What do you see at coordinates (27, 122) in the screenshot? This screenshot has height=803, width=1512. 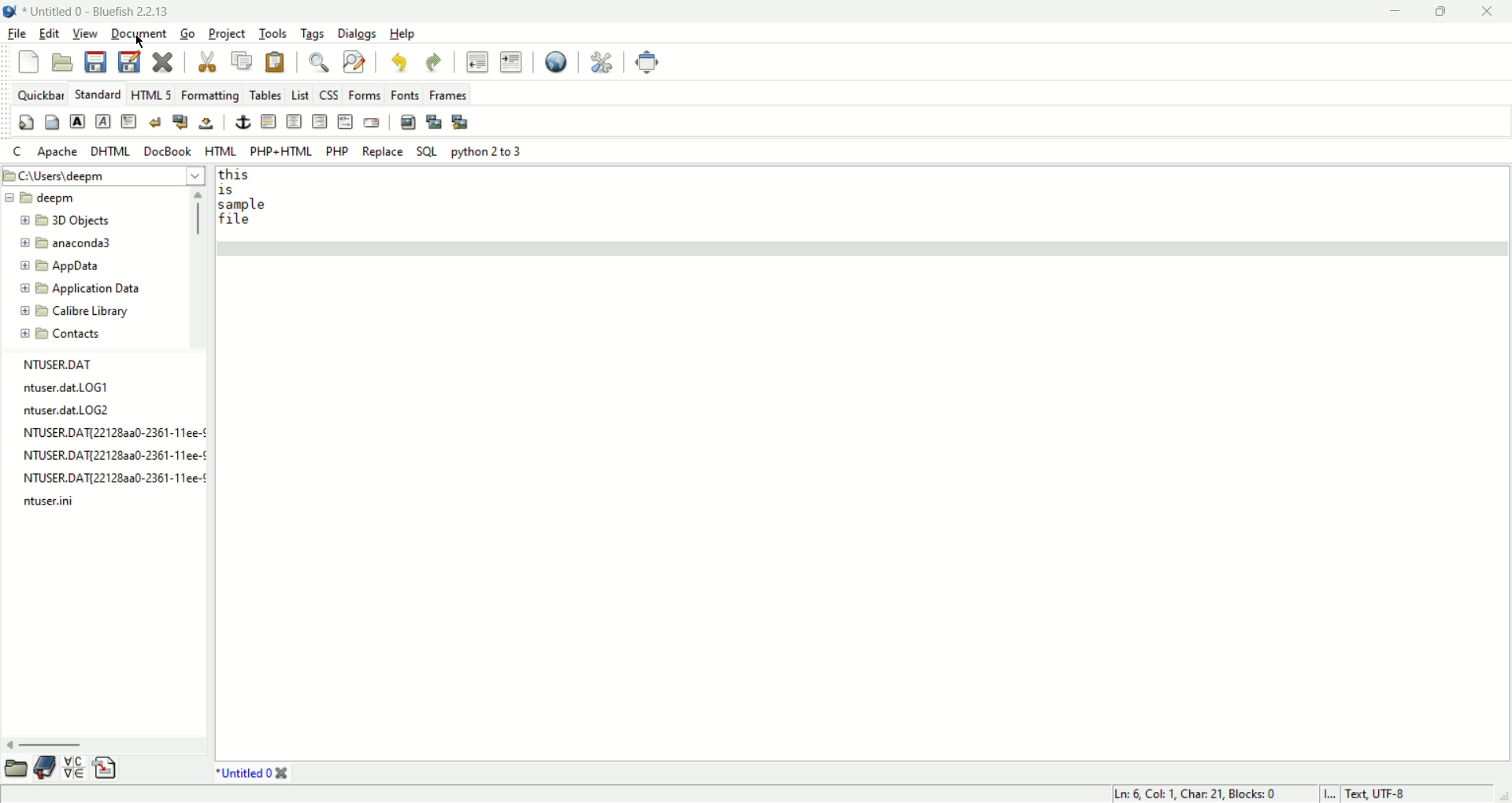 I see `quick start` at bounding box center [27, 122].